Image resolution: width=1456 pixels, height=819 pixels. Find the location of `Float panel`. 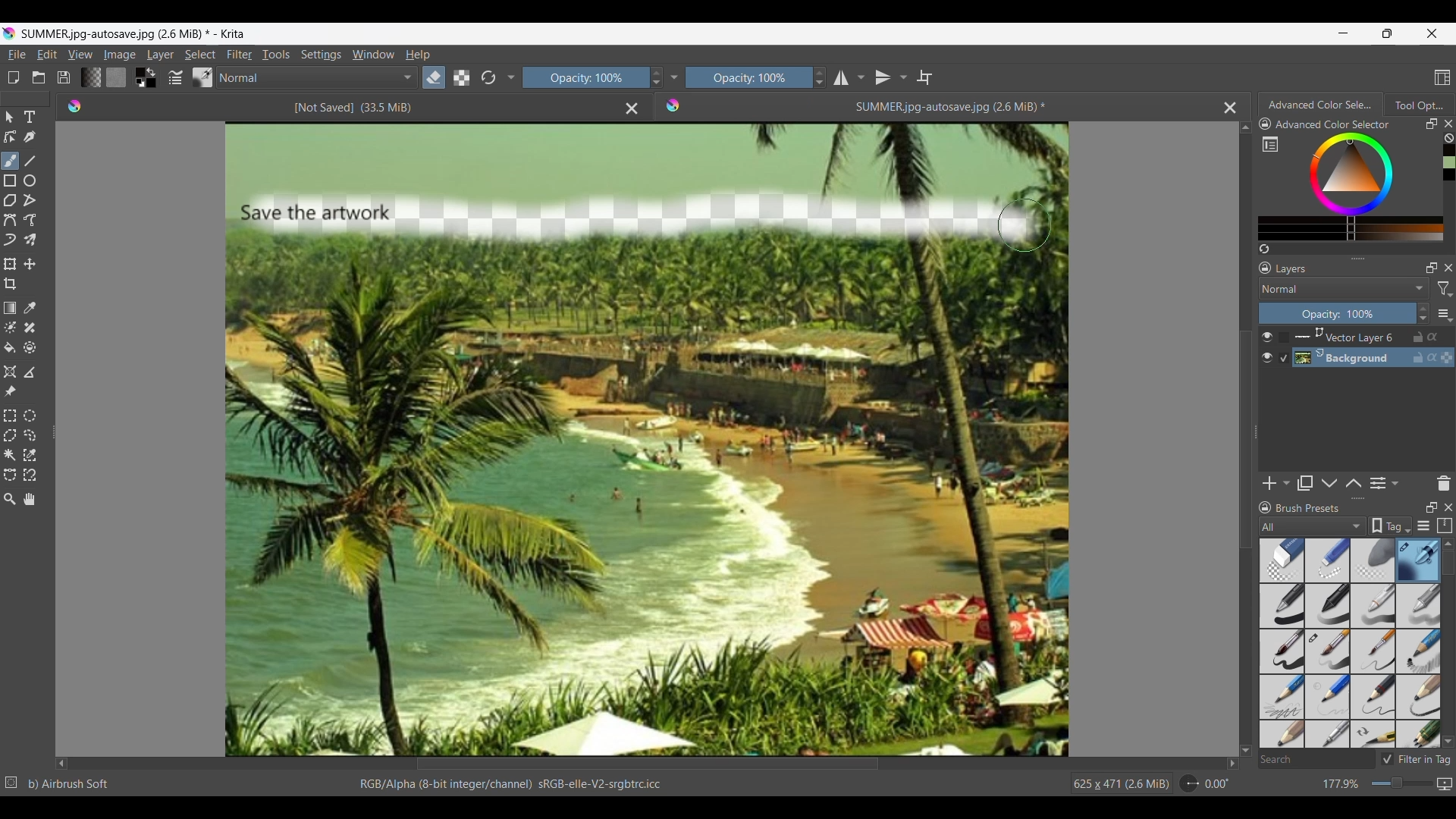

Float panel is located at coordinates (1429, 508).